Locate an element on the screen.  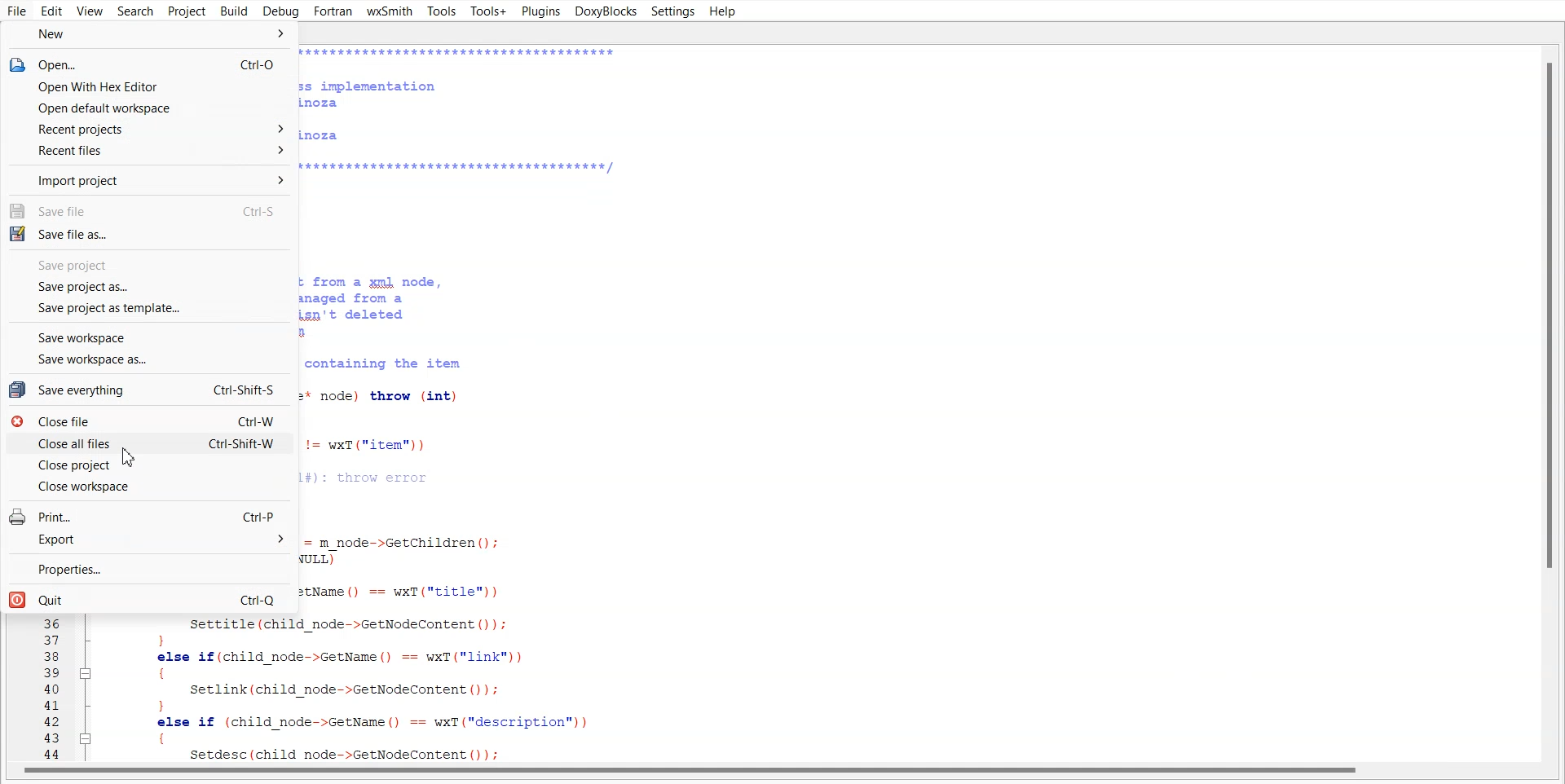
Close workspace is located at coordinates (148, 487).